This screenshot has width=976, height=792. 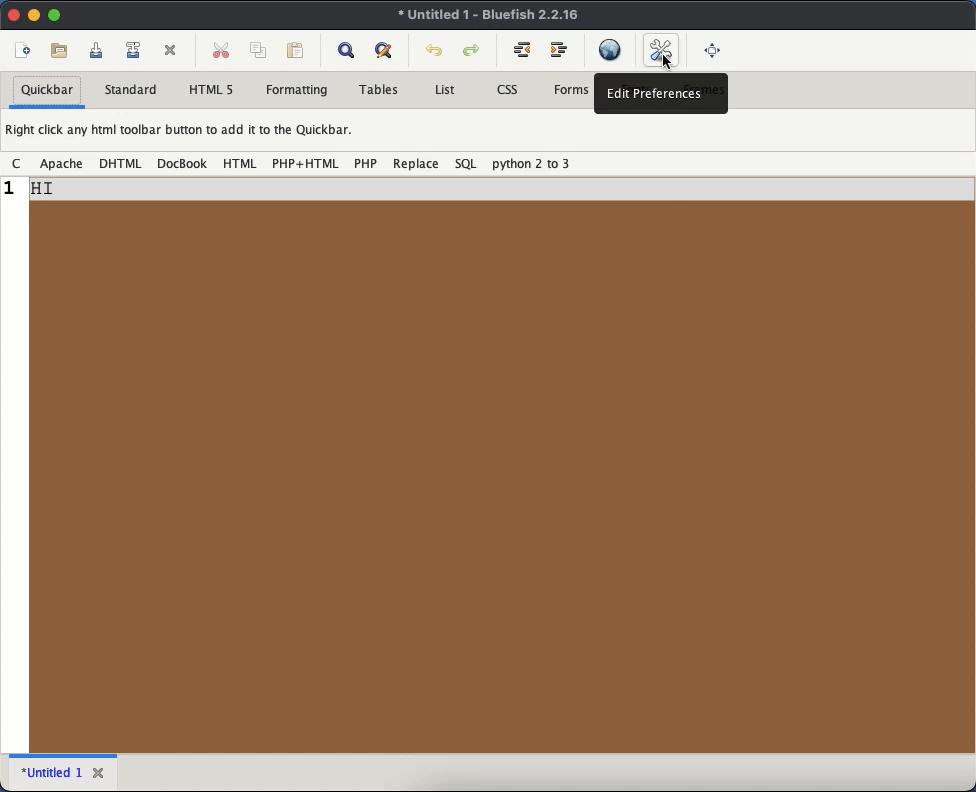 I want to click on edit preferences, so click(x=664, y=52).